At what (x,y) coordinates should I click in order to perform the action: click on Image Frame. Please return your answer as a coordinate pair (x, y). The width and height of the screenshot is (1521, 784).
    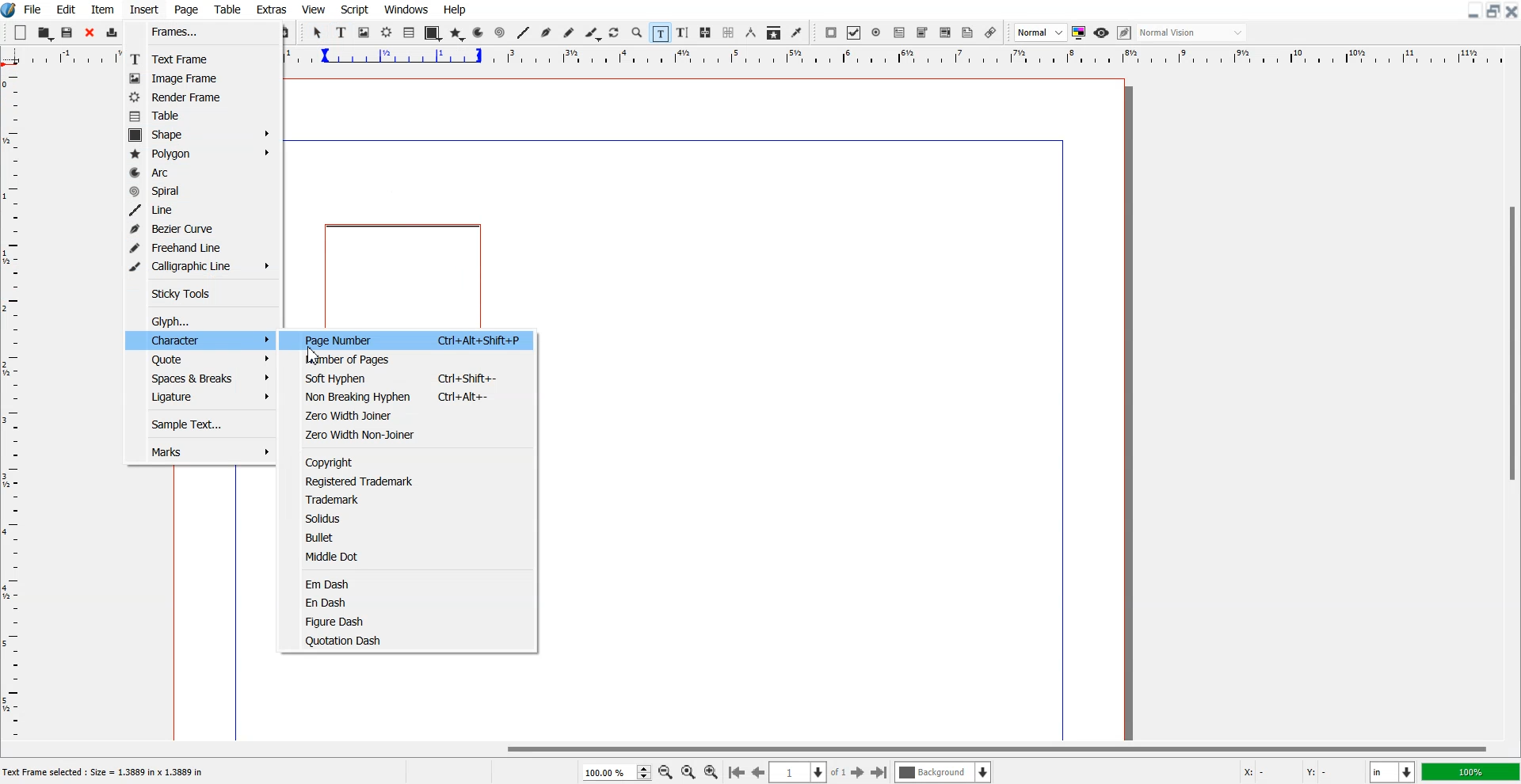
    Looking at the image, I should click on (195, 78).